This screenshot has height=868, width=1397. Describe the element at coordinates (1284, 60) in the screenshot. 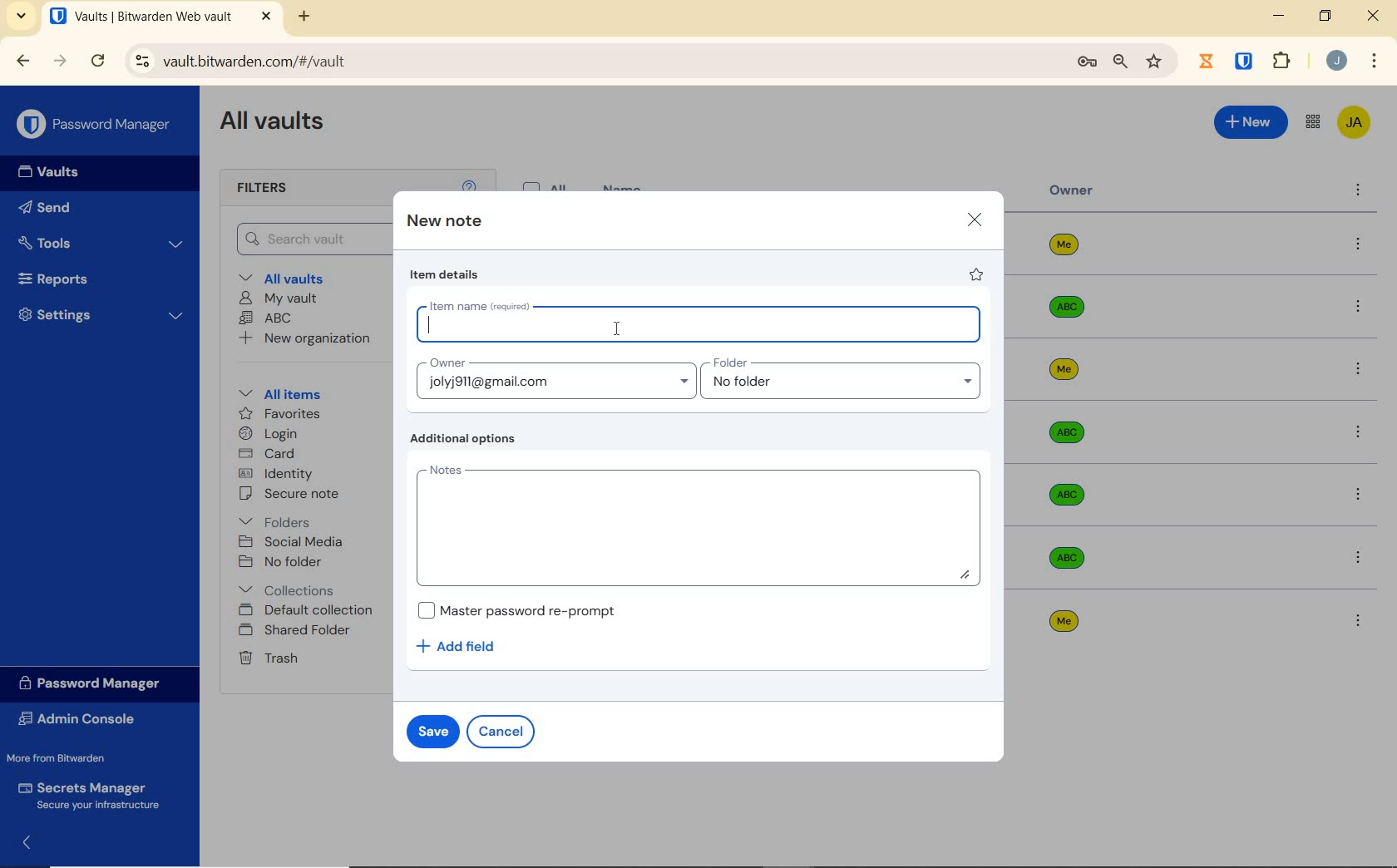

I see `extensions` at that location.